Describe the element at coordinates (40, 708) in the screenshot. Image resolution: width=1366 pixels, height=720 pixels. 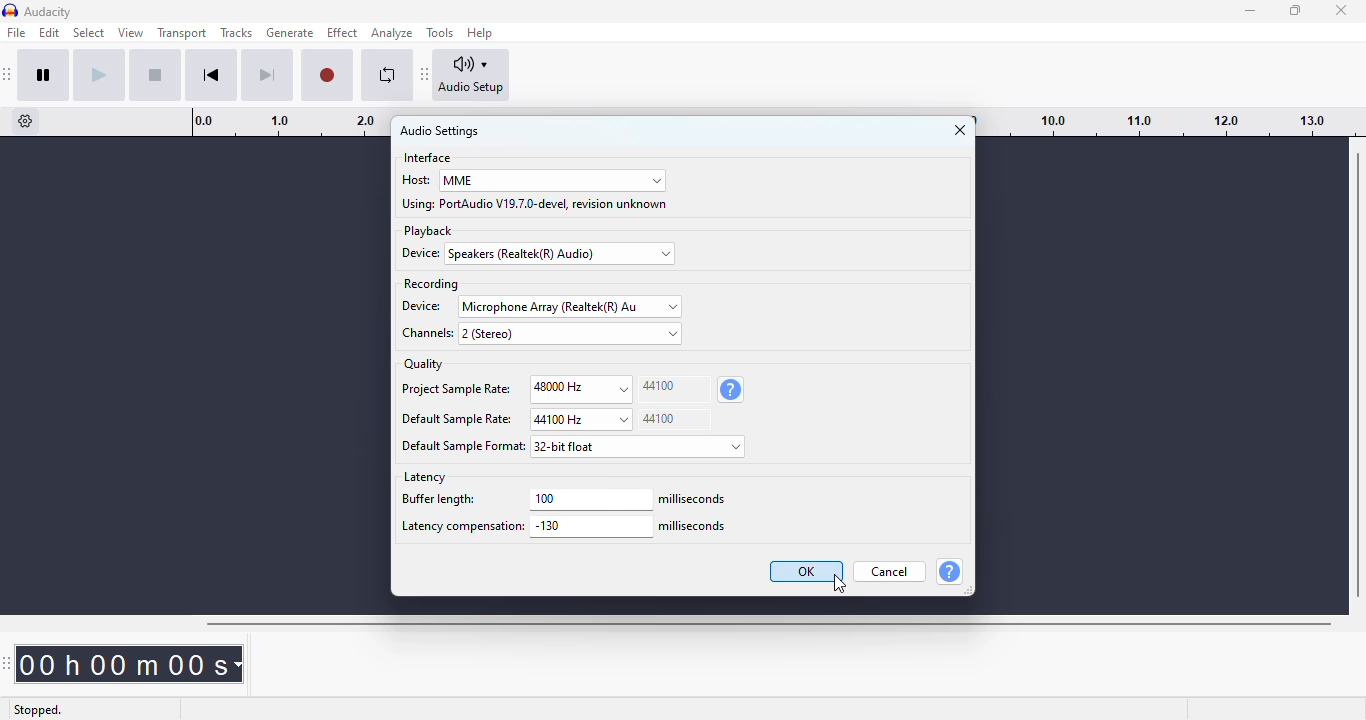
I see `stopped` at that location.